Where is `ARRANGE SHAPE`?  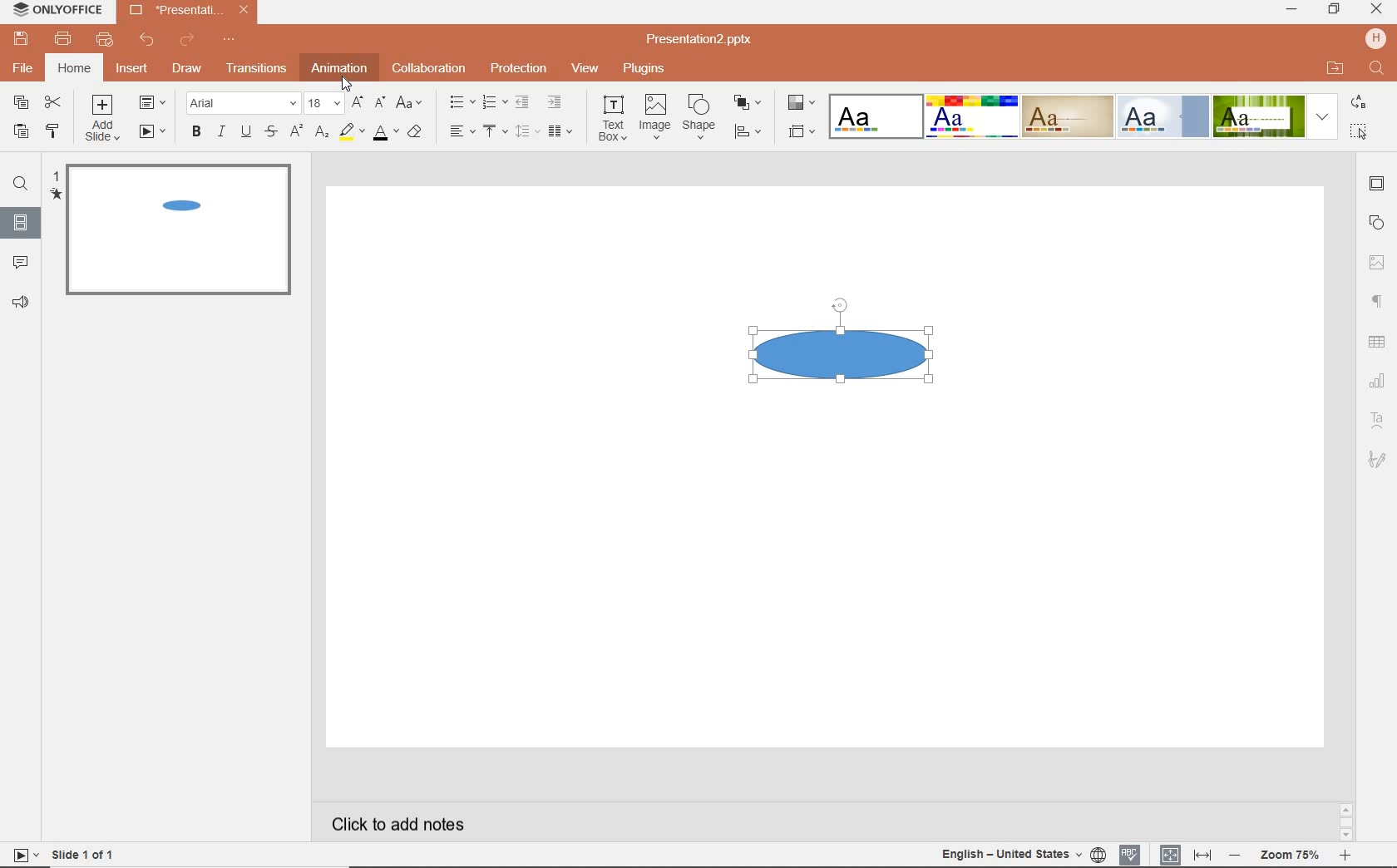 ARRANGE SHAPE is located at coordinates (750, 104).